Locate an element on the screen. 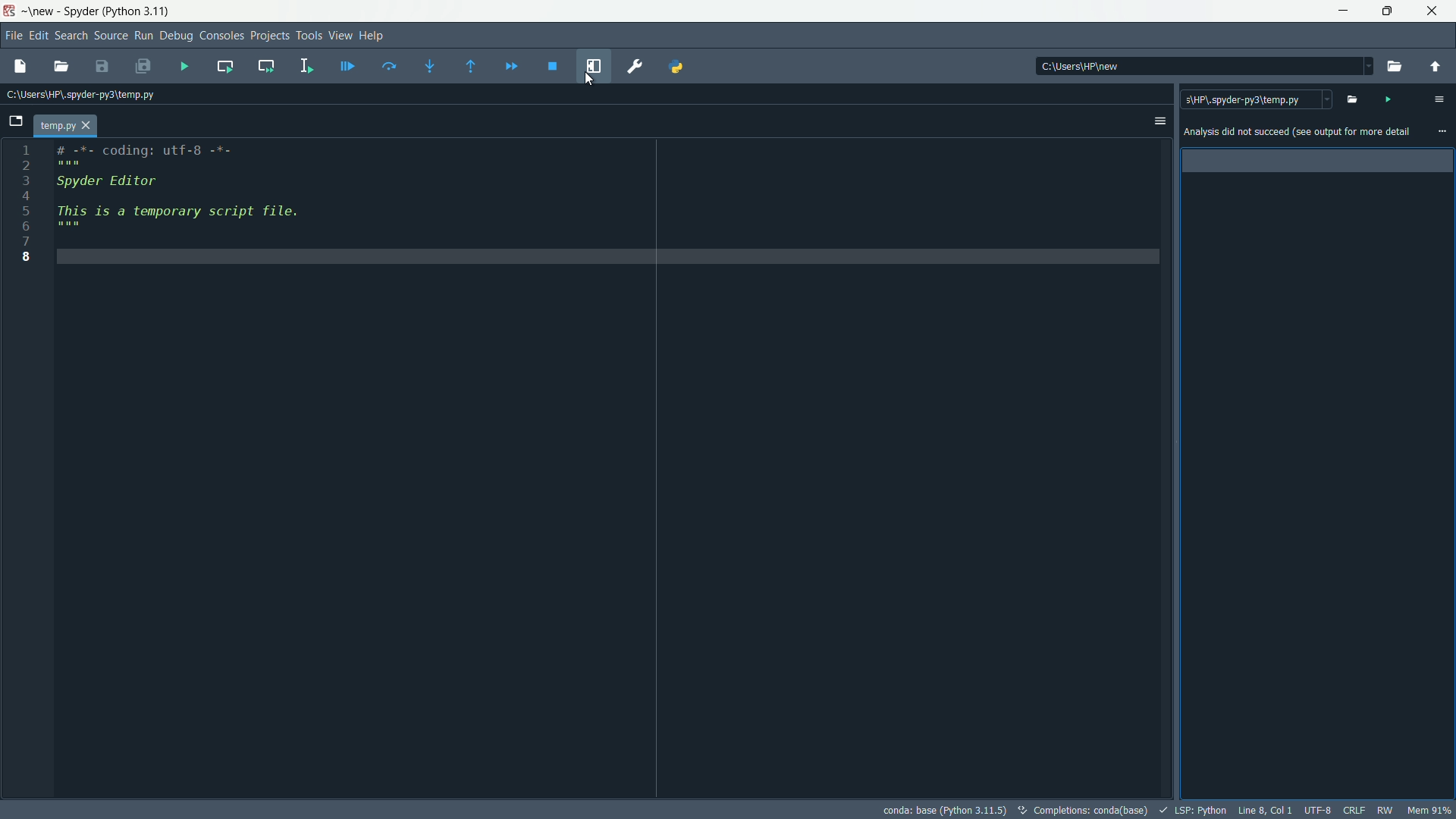  spyder is located at coordinates (81, 11).